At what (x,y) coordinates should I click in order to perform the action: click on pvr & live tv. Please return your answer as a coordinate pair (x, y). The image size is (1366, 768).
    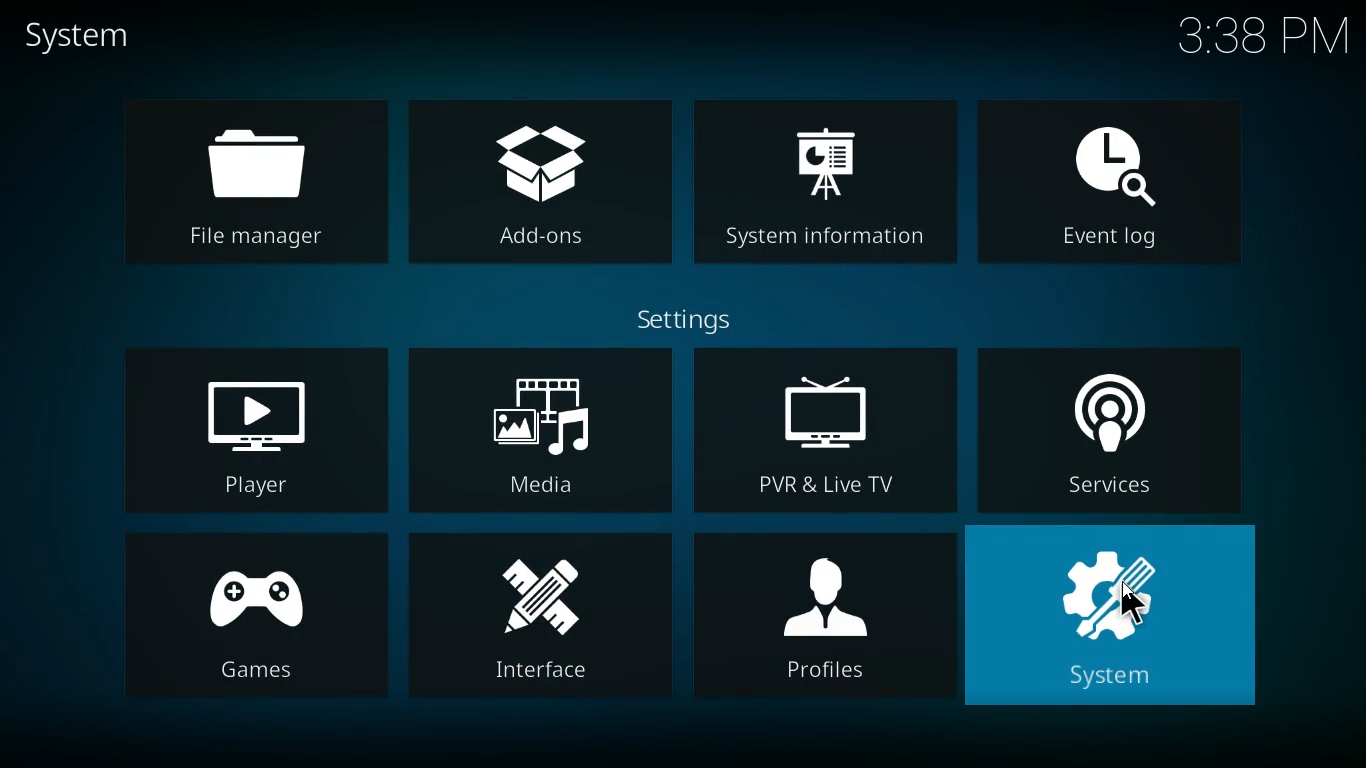
    Looking at the image, I should click on (821, 431).